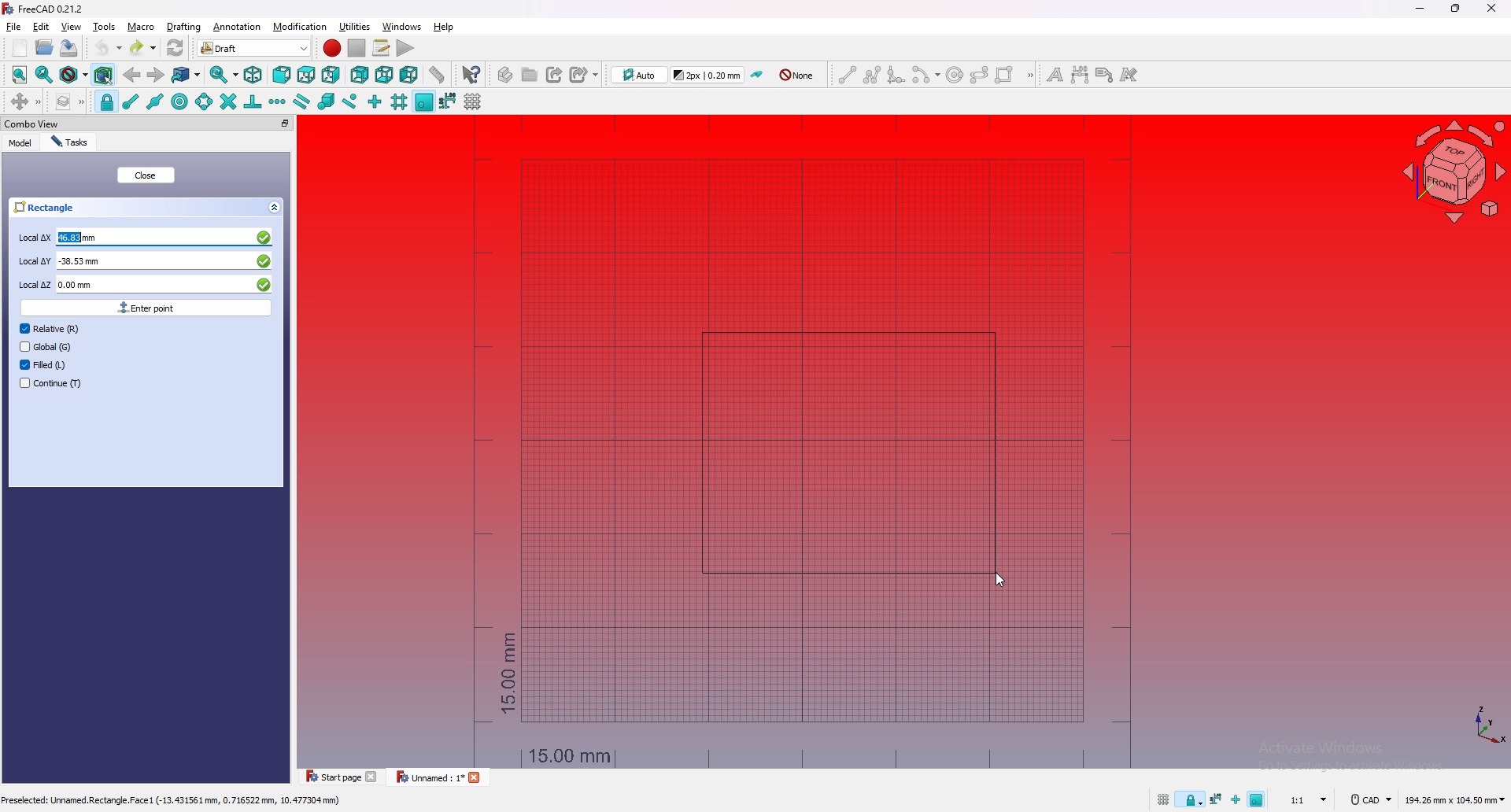  What do you see at coordinates (105, 27) in the screenshot?
I see `tools` at bounding box center [105, 27].